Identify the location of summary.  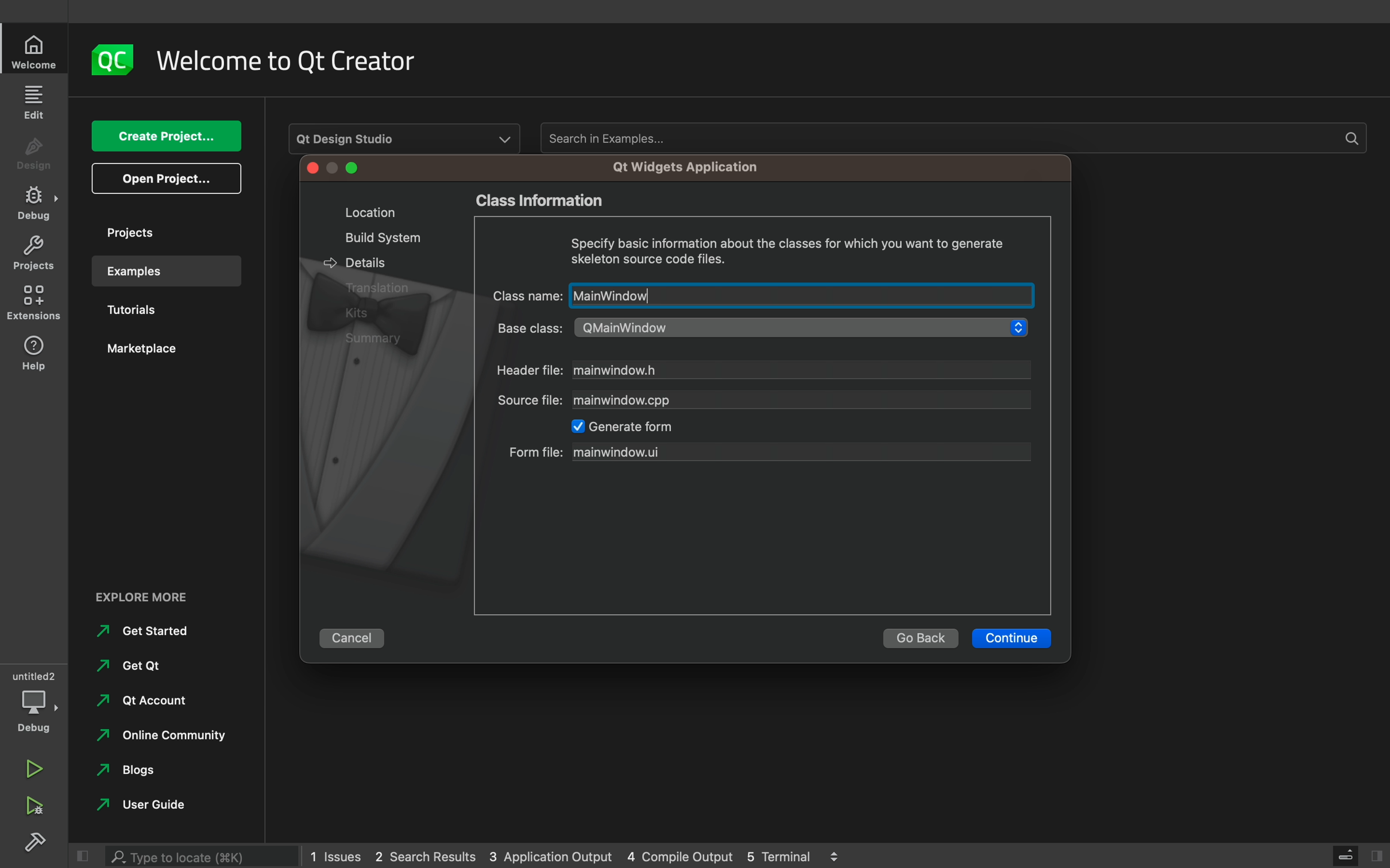
(381, 339).